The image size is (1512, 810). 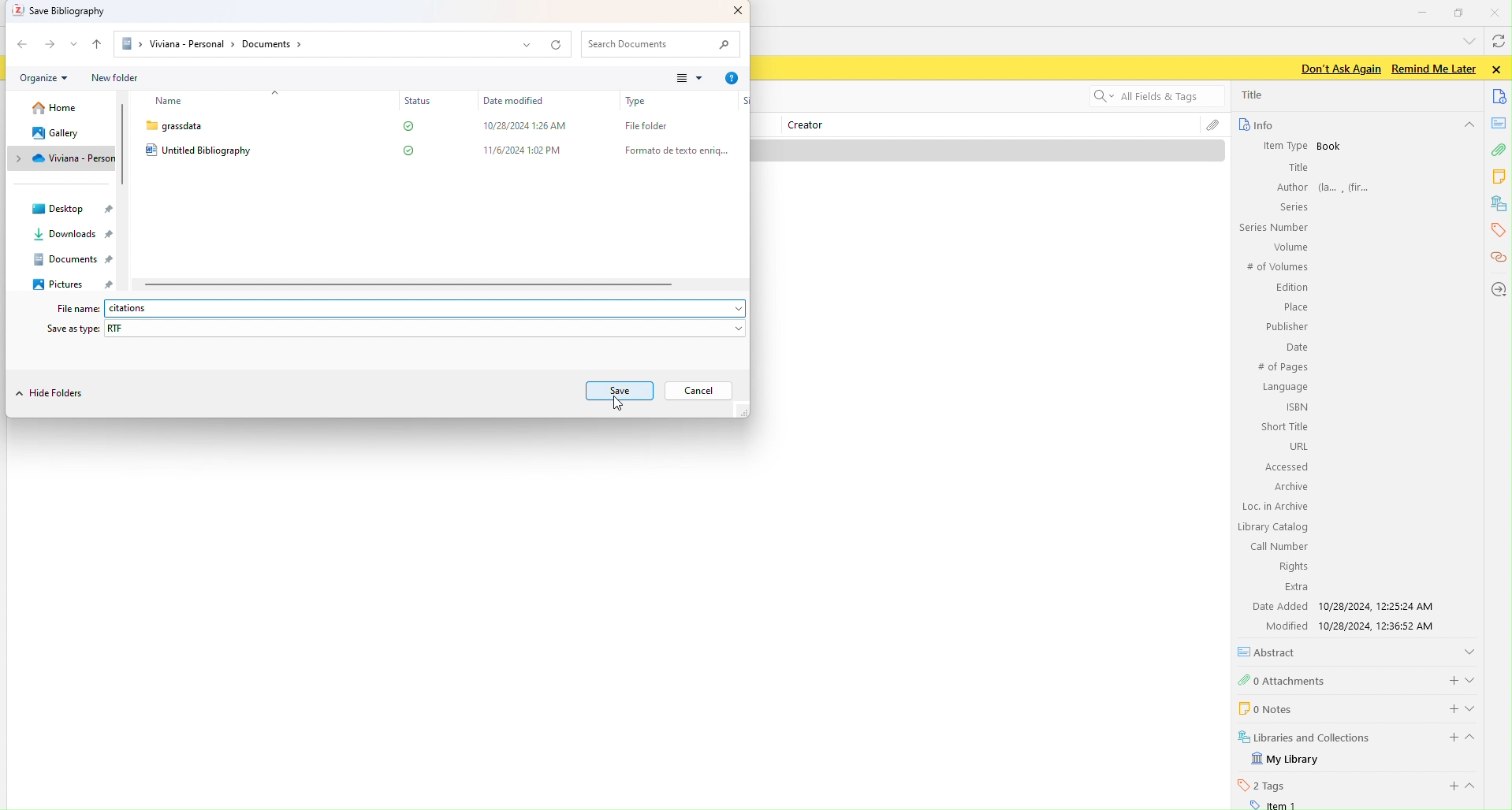 I want to click on Viviana - Personal > Documents >, so click(x=212, y=44).